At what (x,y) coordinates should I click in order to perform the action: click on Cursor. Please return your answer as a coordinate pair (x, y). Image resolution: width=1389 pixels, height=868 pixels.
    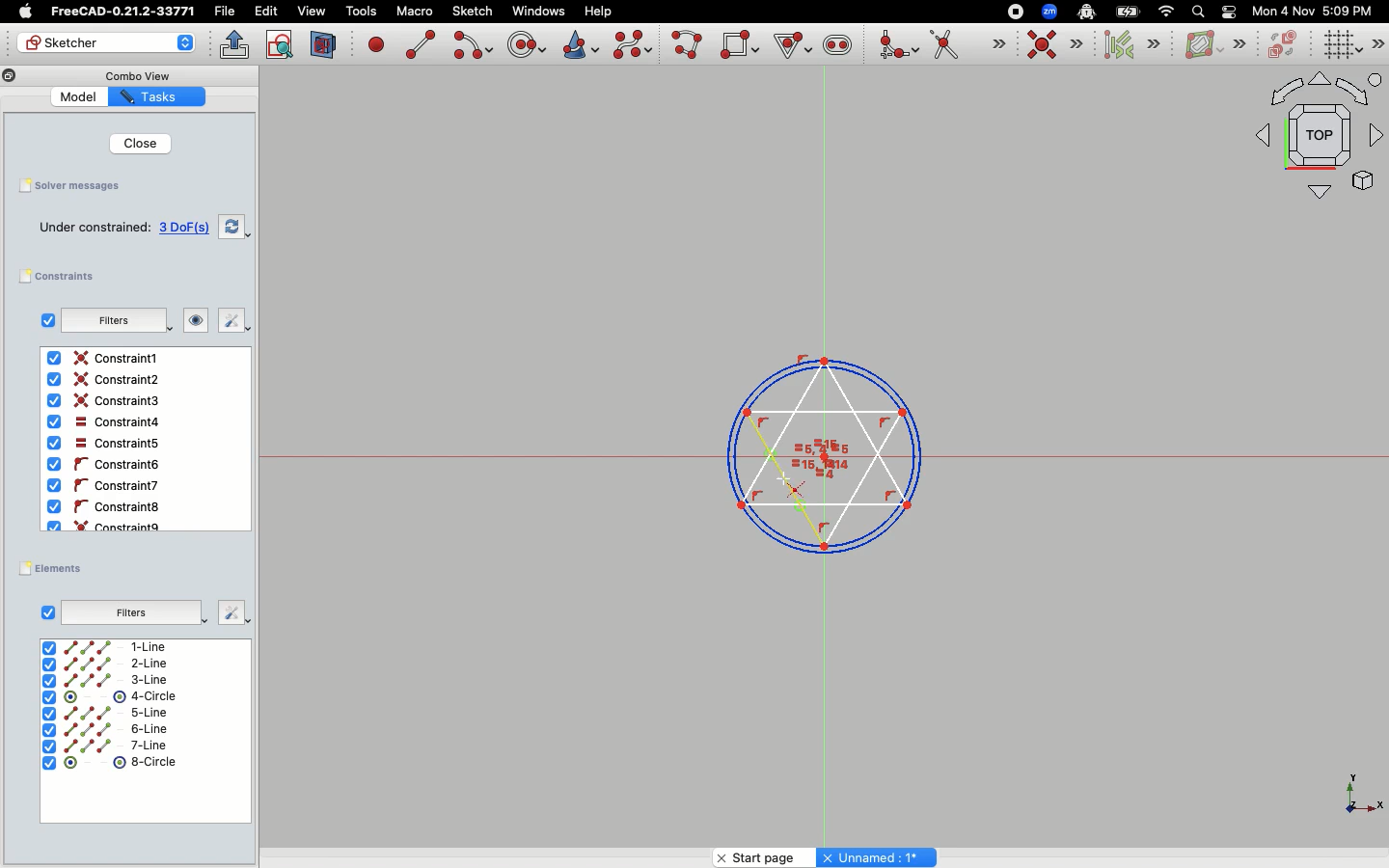
    Looking at the image, I should click on (783, 478).